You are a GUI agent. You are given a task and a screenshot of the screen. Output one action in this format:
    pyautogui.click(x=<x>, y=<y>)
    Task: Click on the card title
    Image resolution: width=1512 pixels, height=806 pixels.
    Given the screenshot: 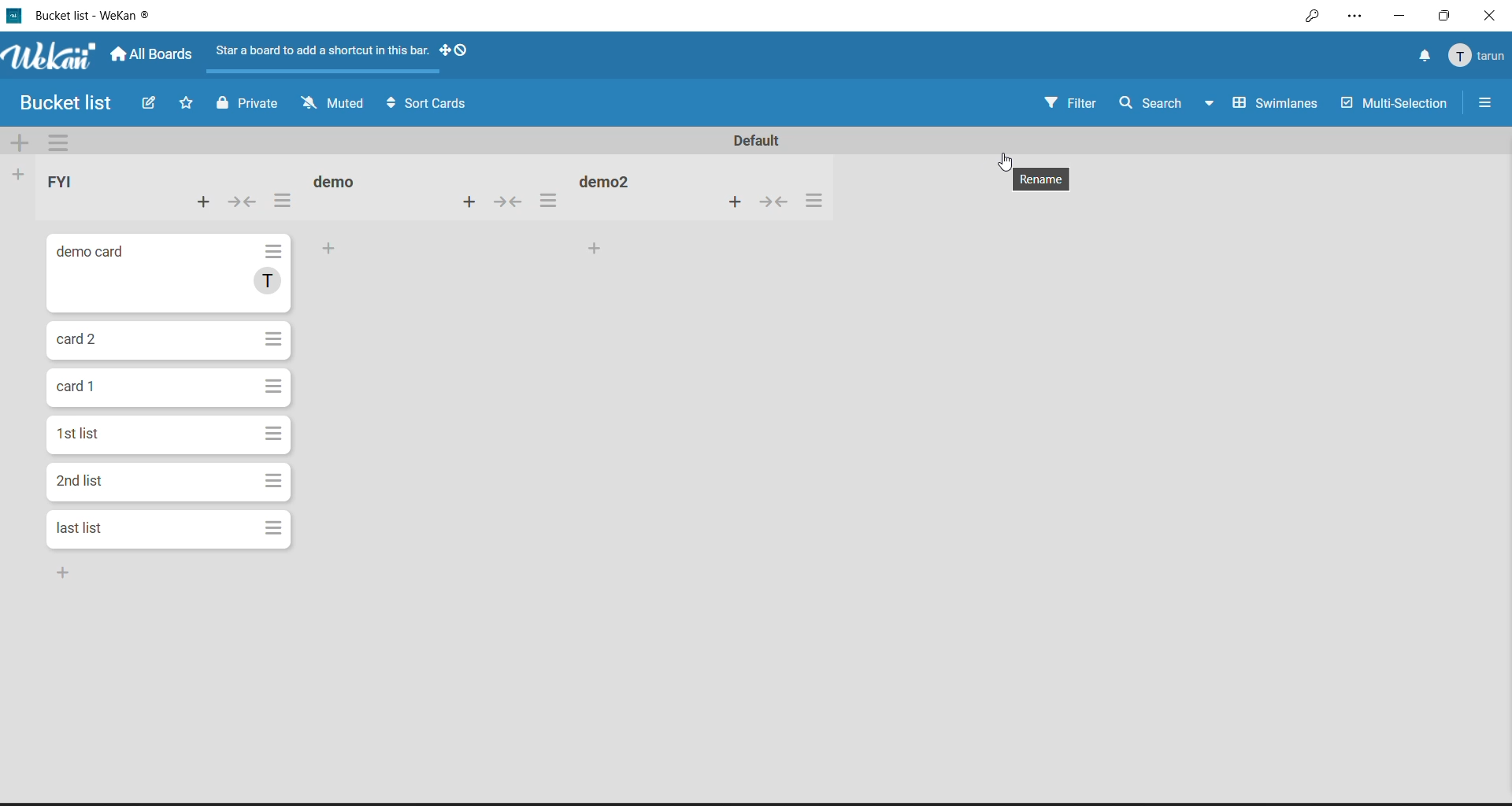 What is the action you would take?
    pyautogui.click(x=83, y=484)
    